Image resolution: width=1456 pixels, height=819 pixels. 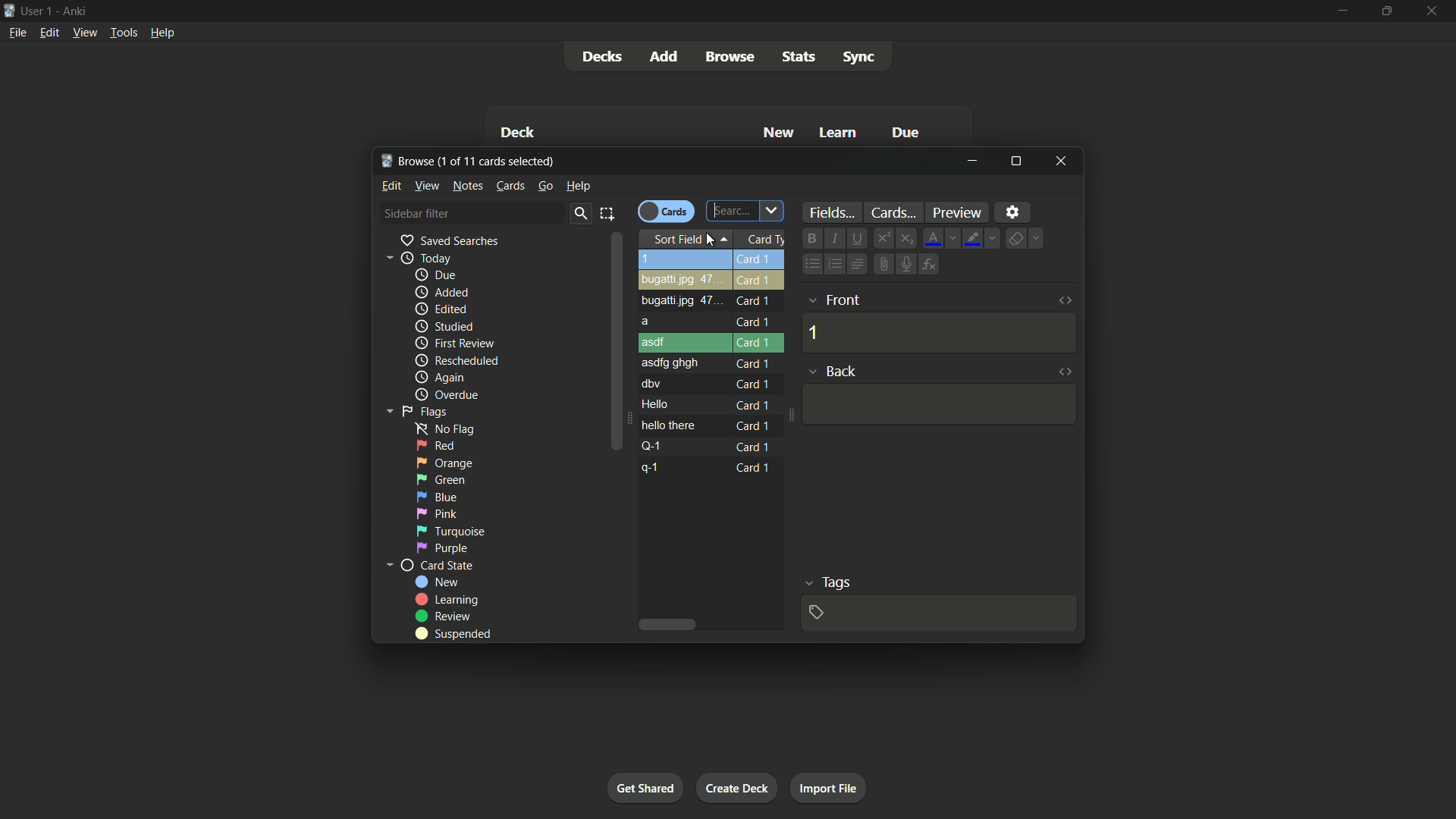 I want to click on first review, so click(x=459, y=343).